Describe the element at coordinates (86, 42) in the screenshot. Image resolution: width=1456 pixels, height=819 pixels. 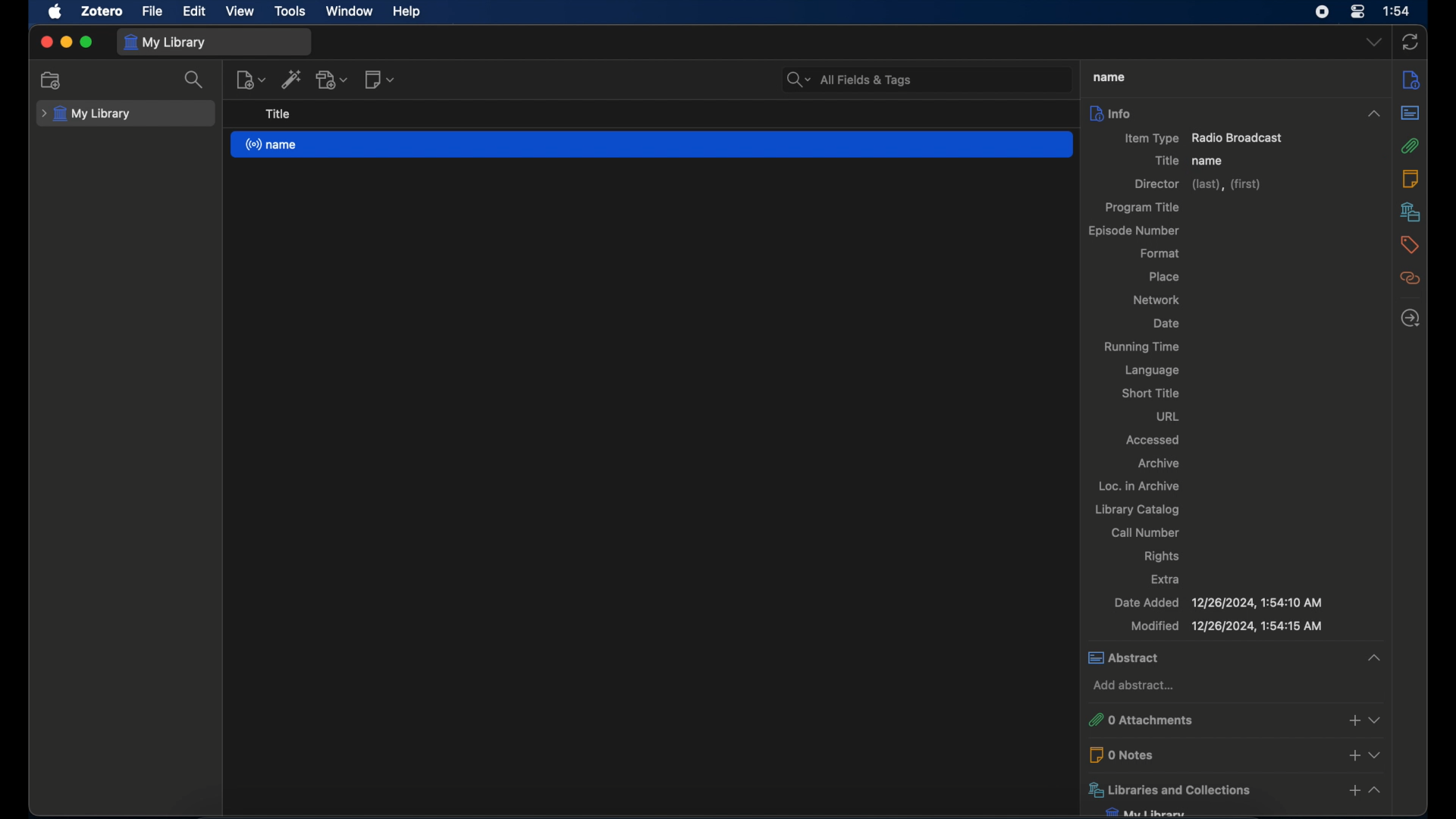
I see `maximize` at that location.